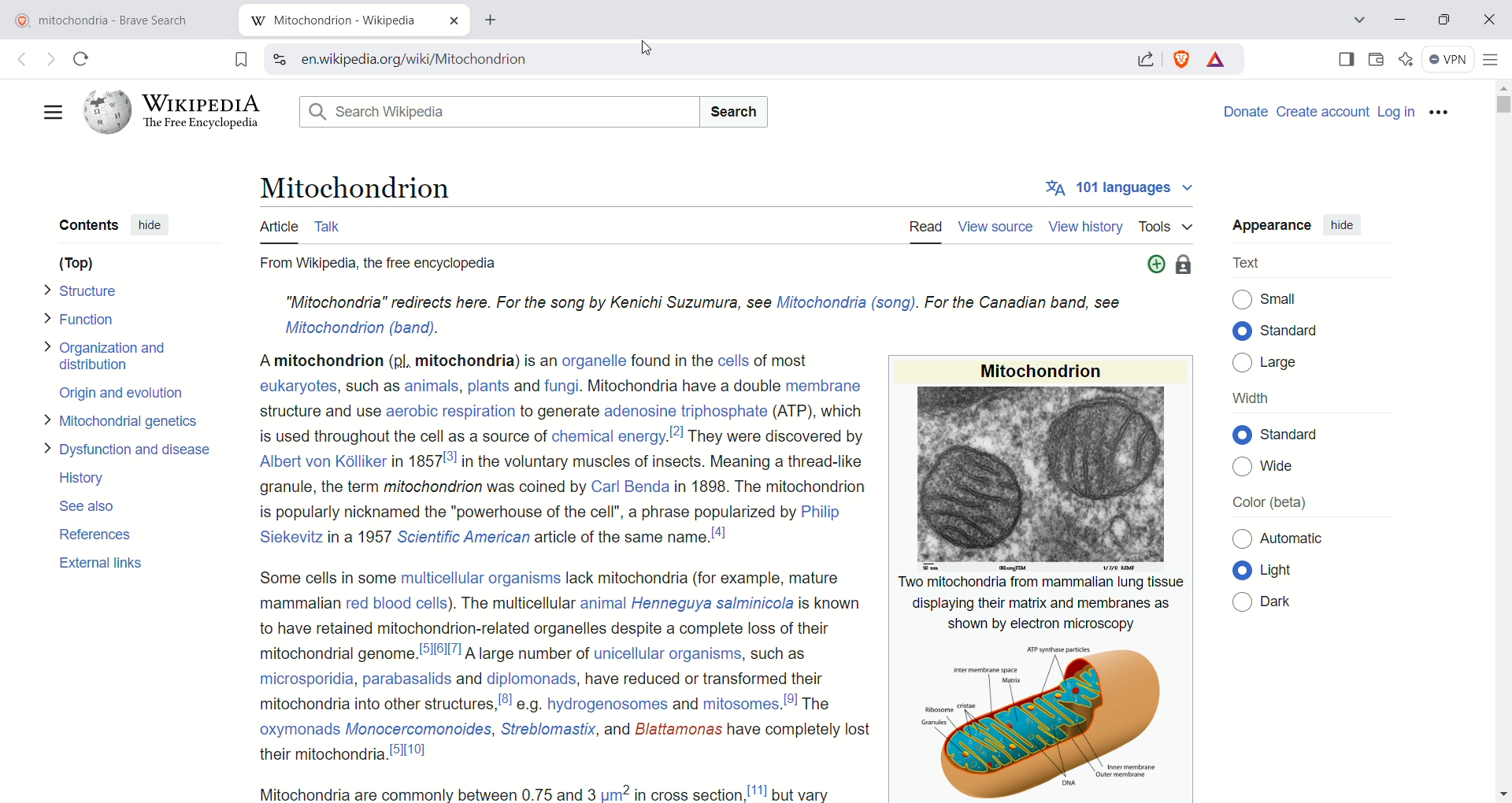 The image size is (1512, 803). I want to click on Width, so click(1252, 397).